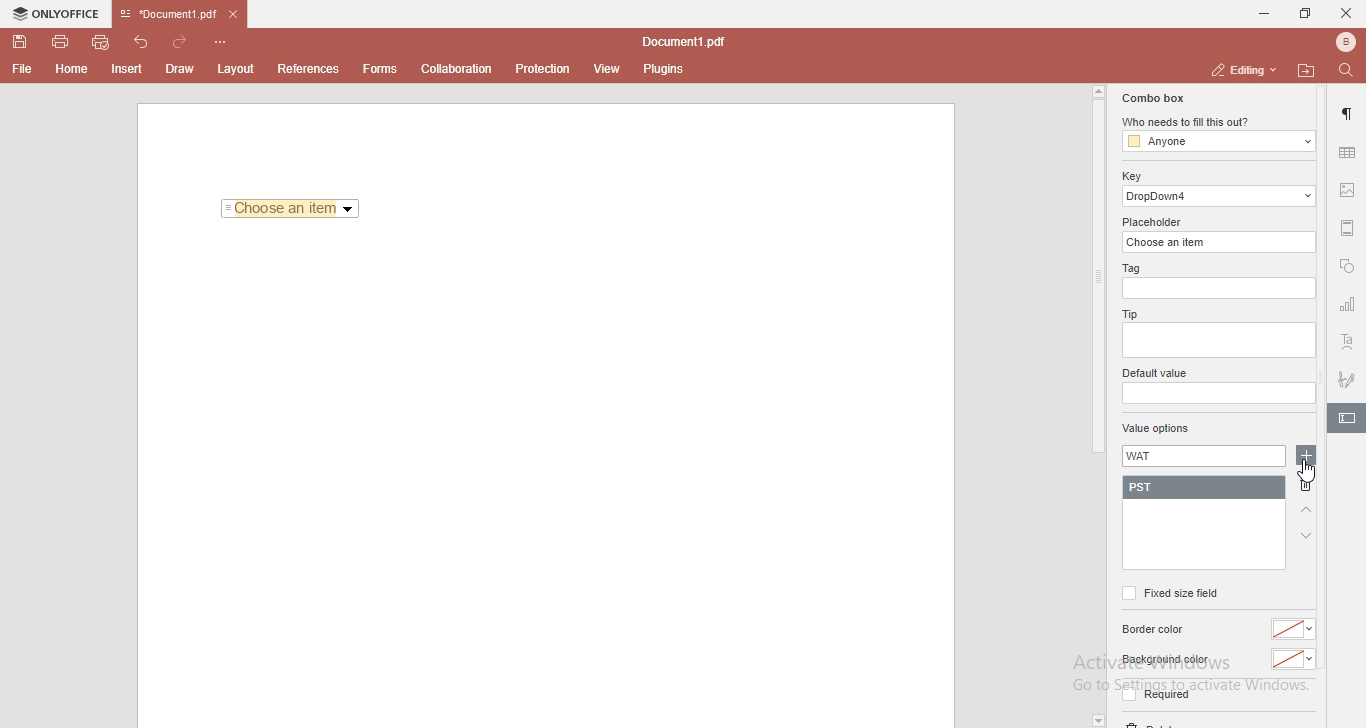  I want to click on PST added, so click(1208, 488).